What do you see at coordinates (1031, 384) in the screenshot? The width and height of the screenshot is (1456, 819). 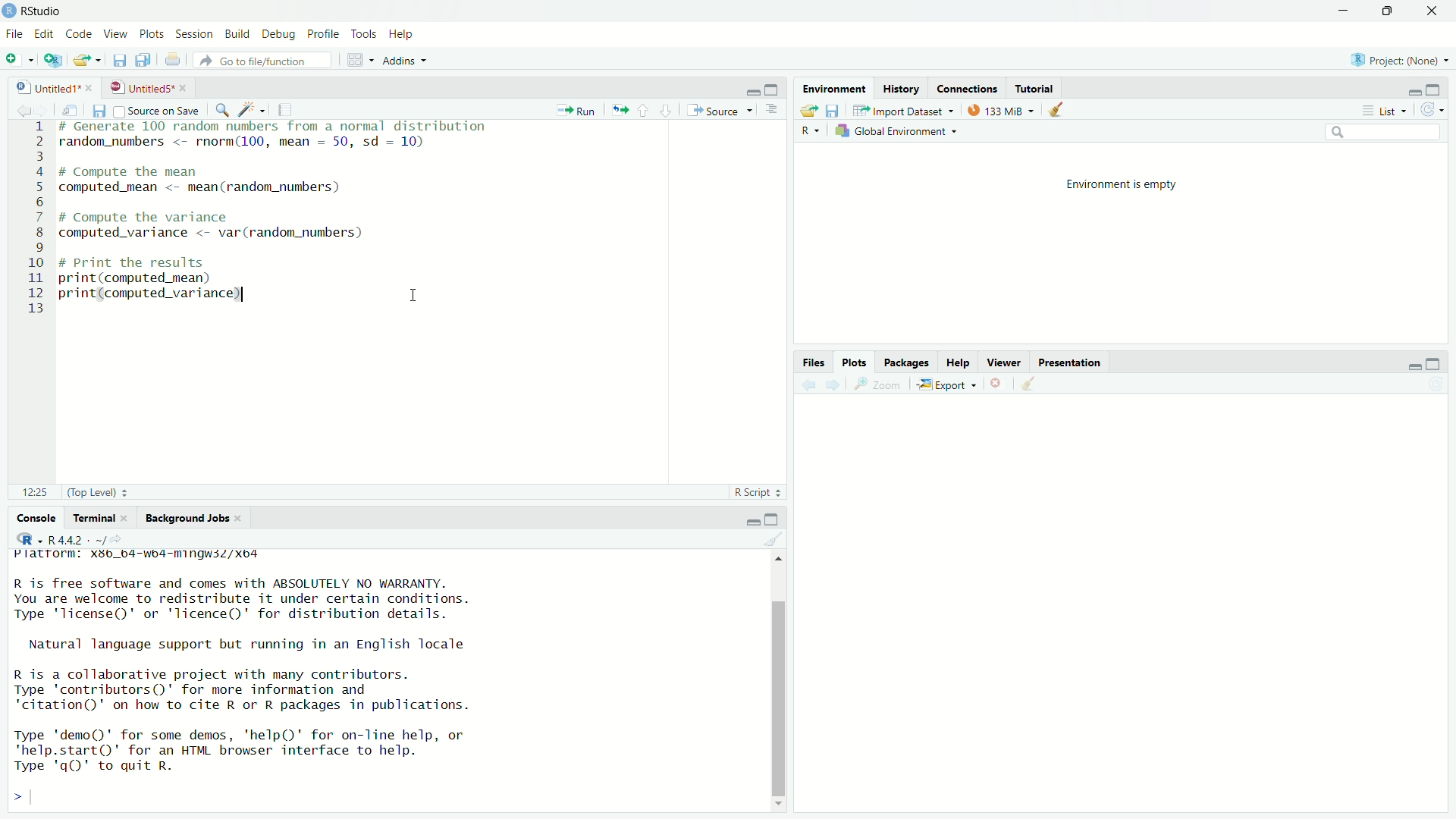 I see `clear all plots` at bounding box center [1031, 384].